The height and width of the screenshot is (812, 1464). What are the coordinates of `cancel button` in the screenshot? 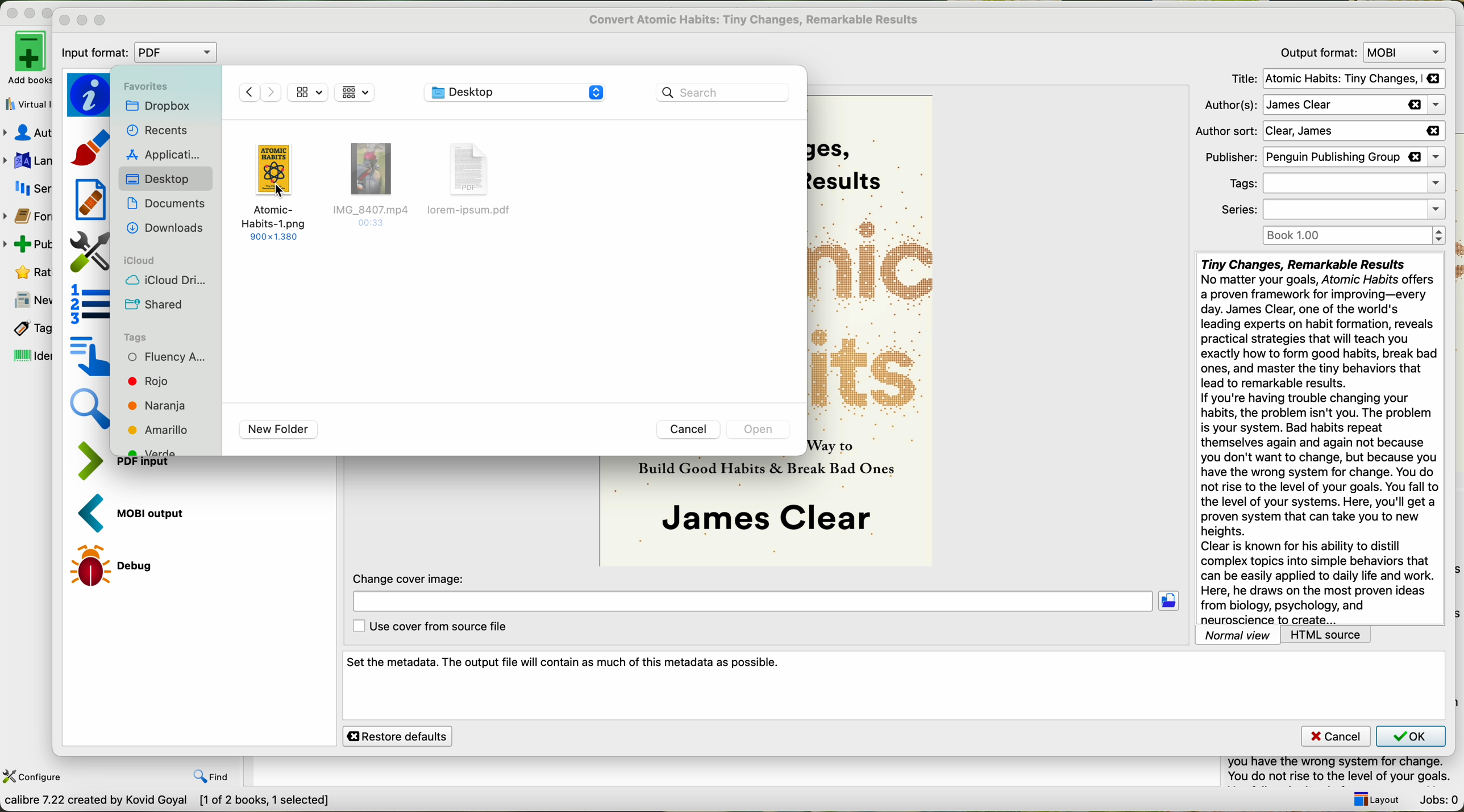 It's located at (1335, 736).